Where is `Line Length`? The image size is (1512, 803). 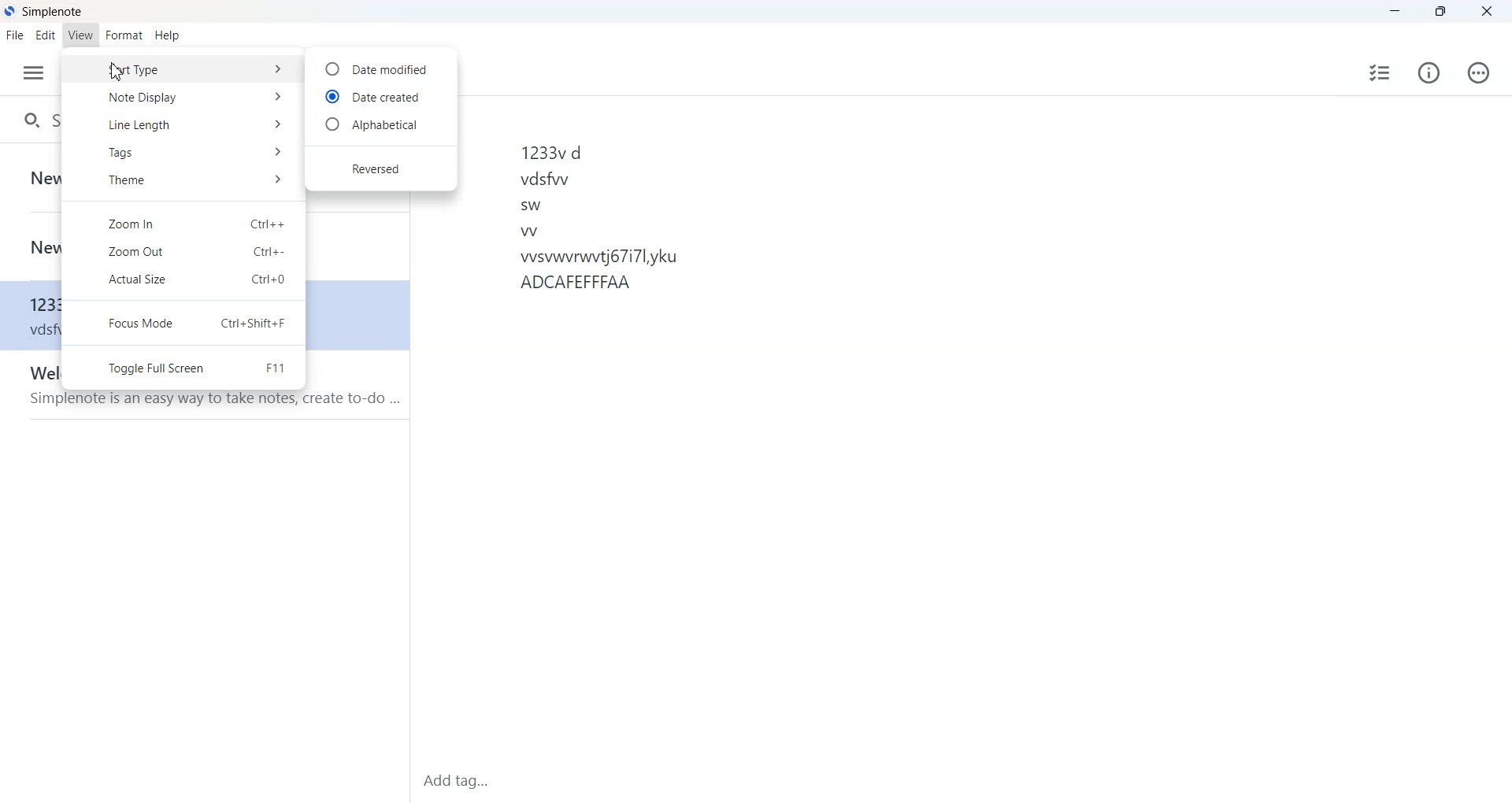 Line Length is located at coordinates (183, 123).